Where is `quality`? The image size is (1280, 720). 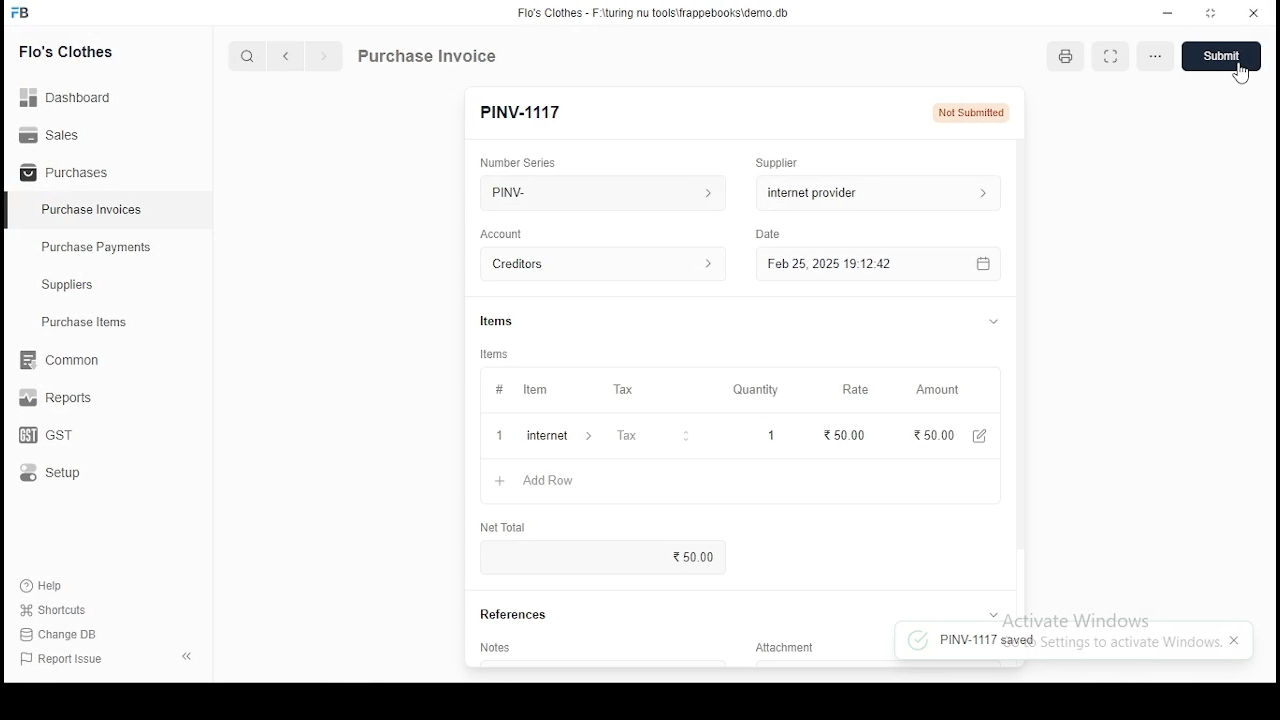
quality is located at coordinates (756, 390).